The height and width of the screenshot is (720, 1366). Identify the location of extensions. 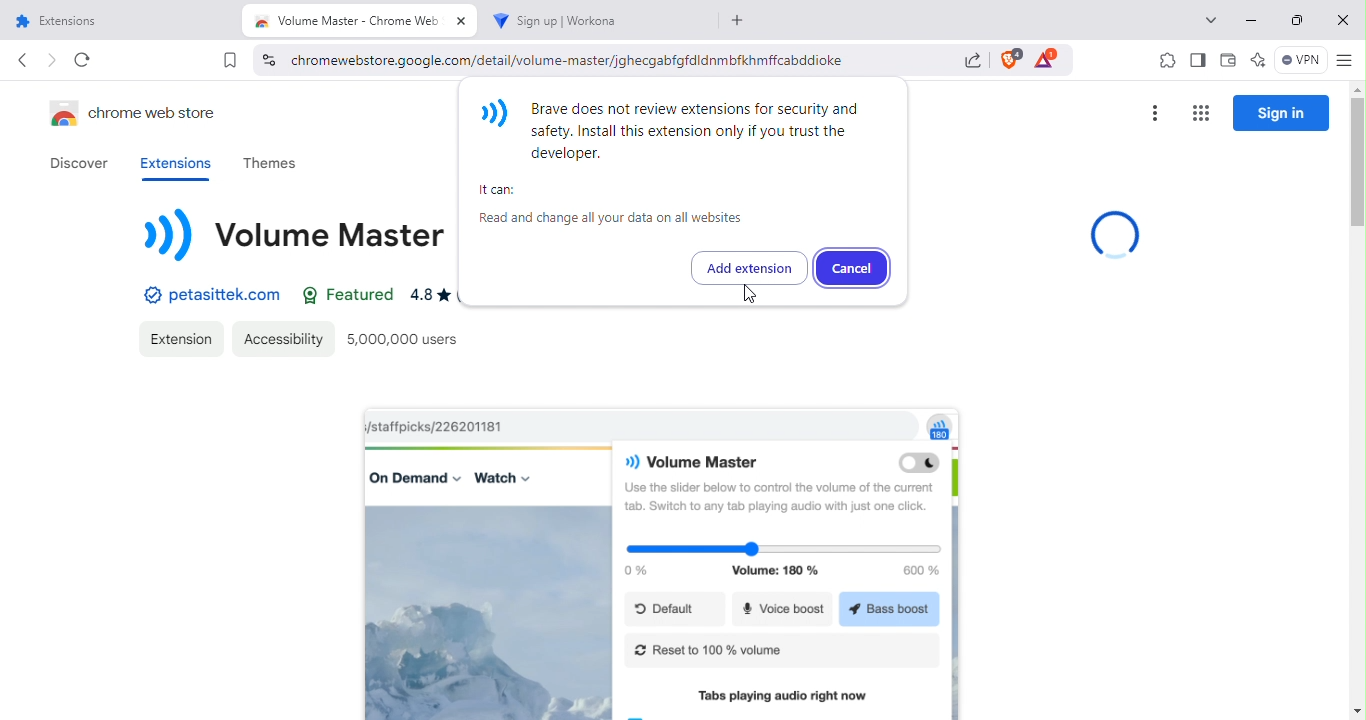
(1166, 61).